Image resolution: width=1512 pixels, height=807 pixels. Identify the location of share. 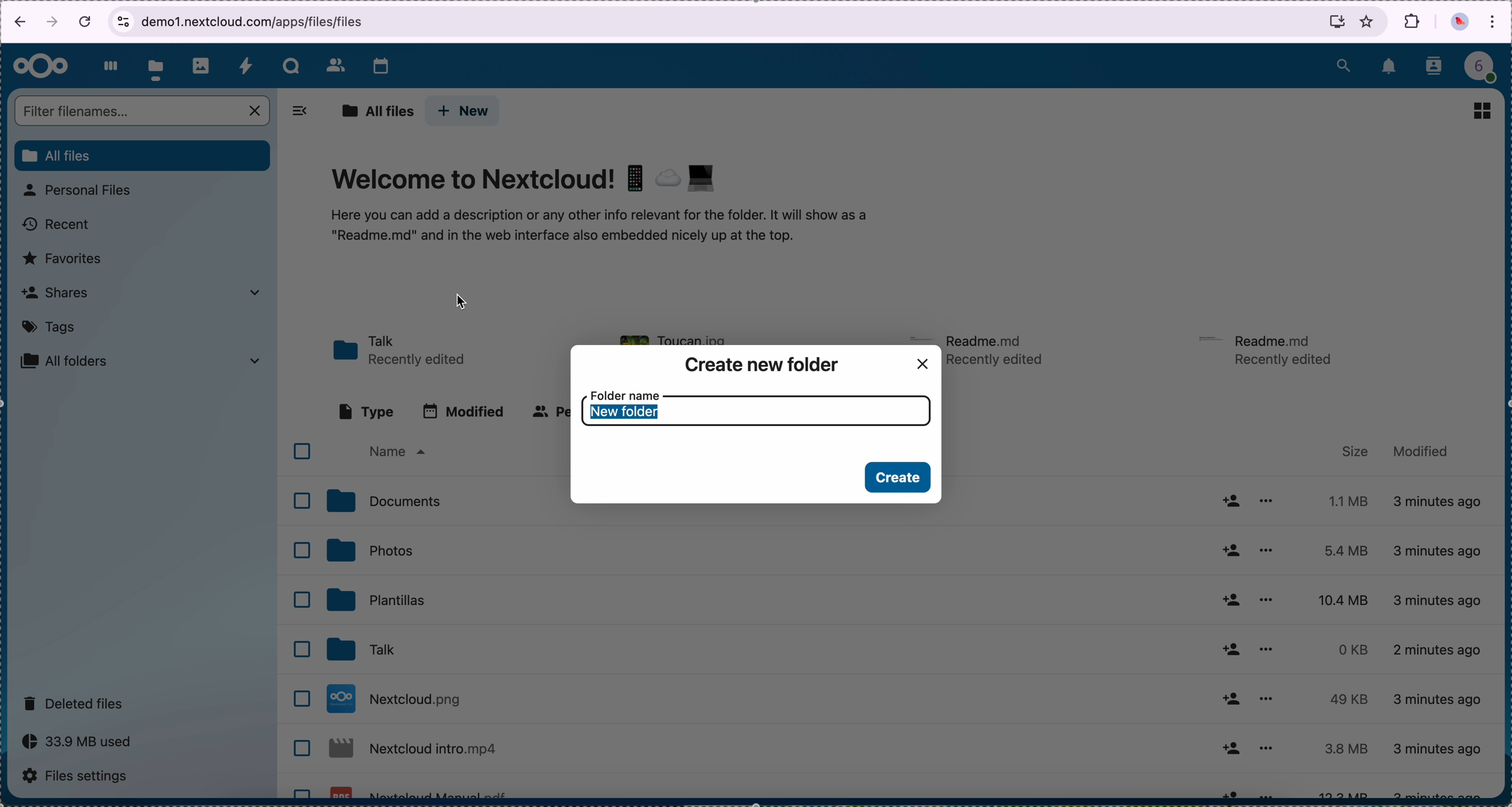
(1229, 501).